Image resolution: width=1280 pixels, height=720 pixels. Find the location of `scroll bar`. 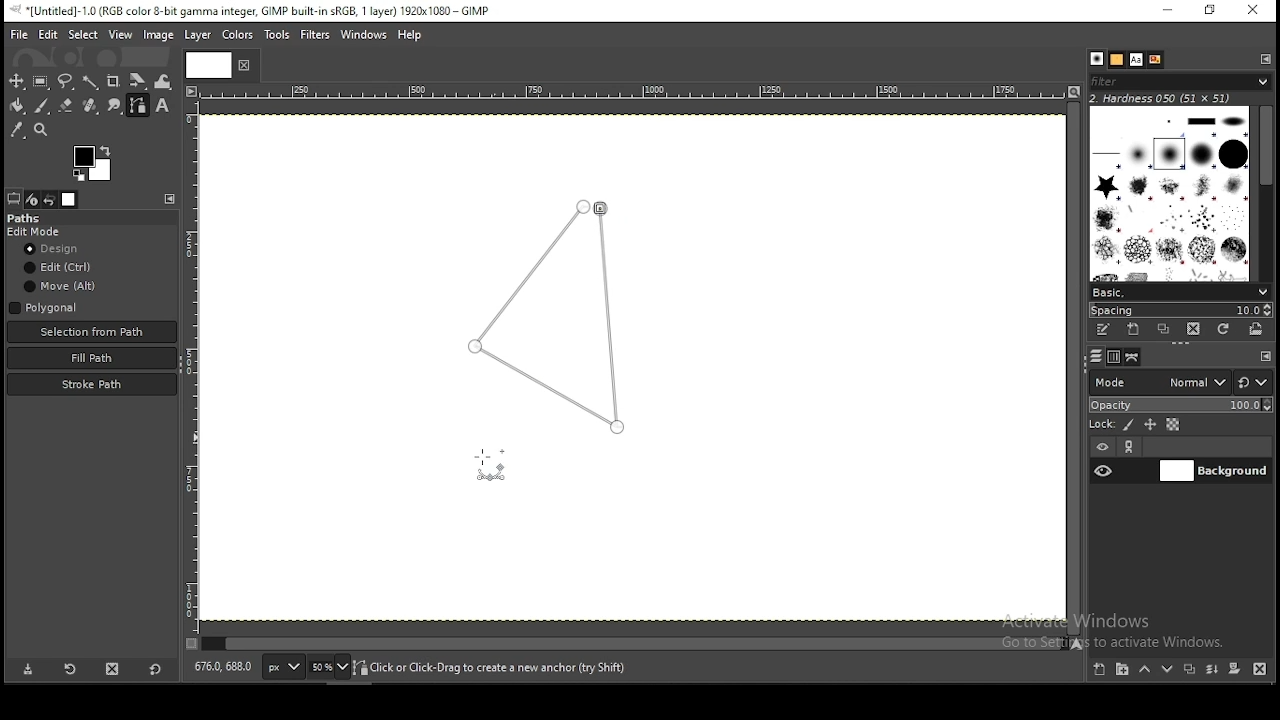

scroll bar is located at coordinates (1263, 194).